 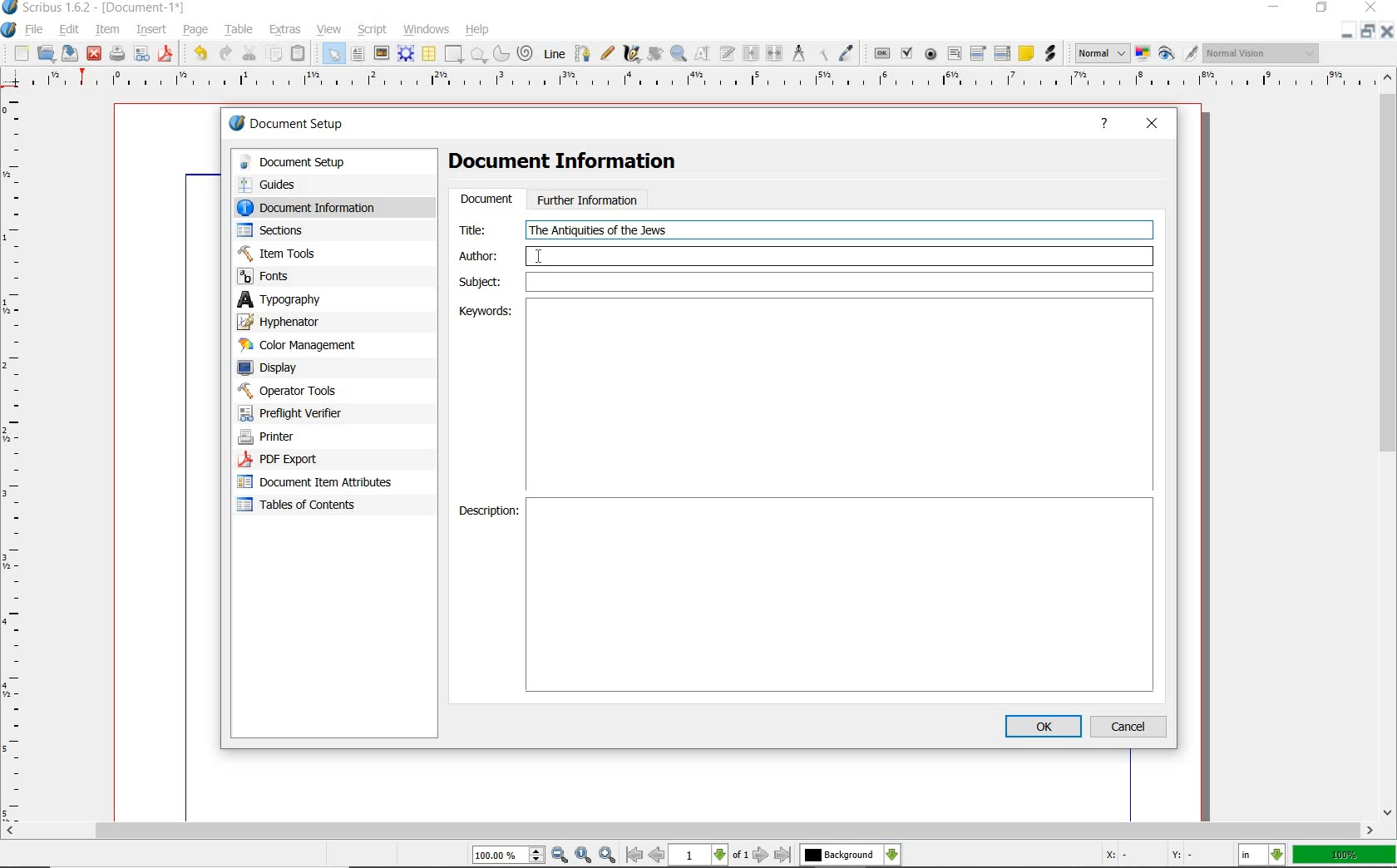 I want to click on shape, so click(x=478, y=54).